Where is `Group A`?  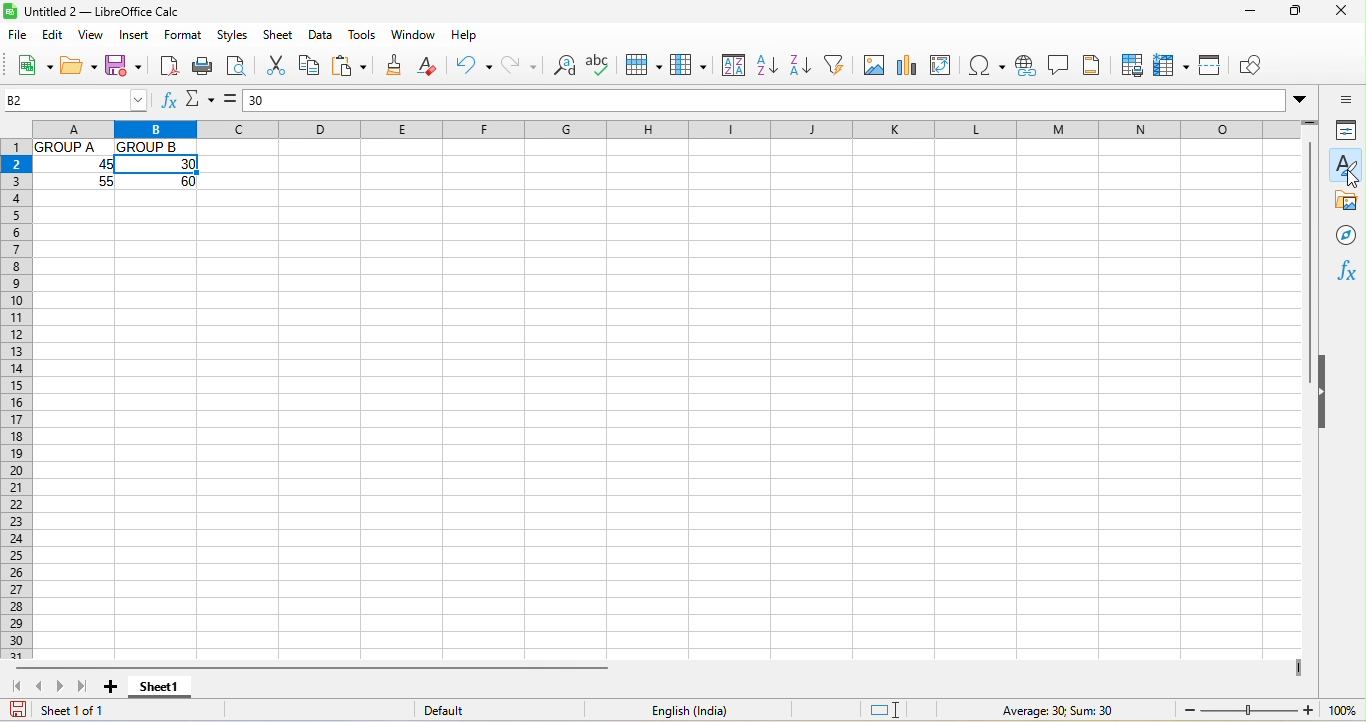 Group A is located at coordinates (70, 147).